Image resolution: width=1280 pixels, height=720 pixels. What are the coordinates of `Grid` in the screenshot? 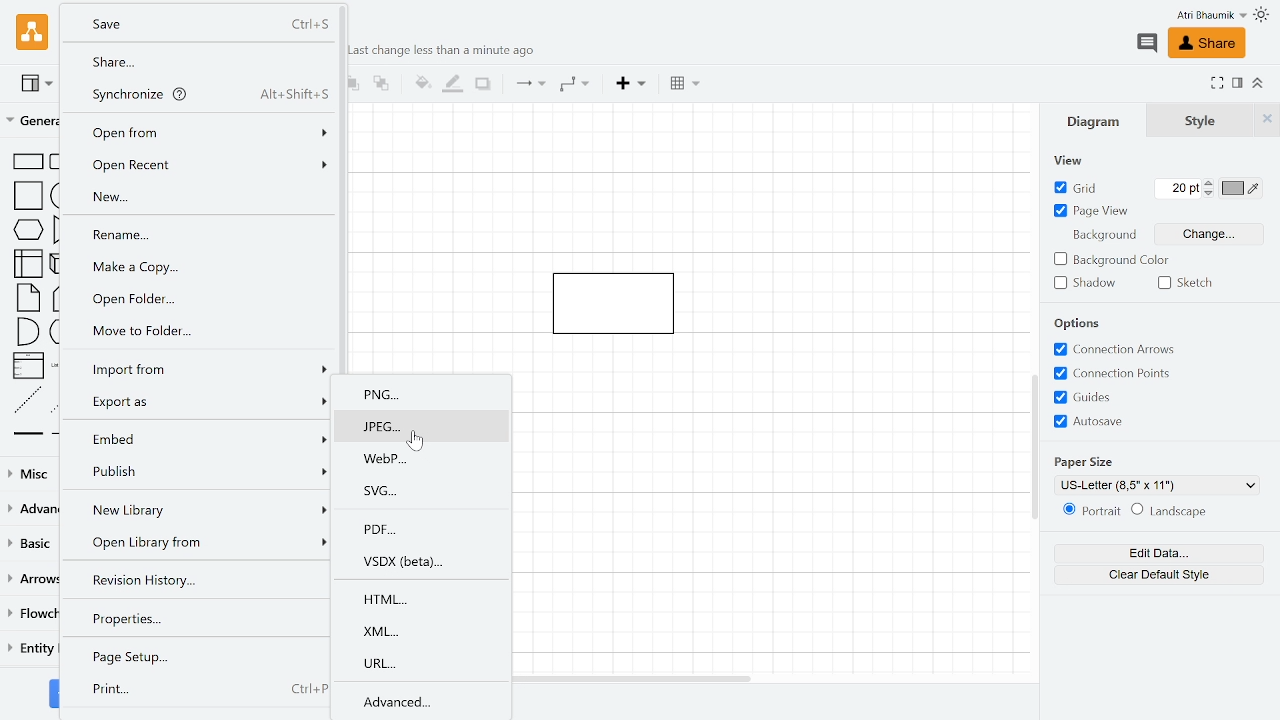 It's located at (1084, 187).